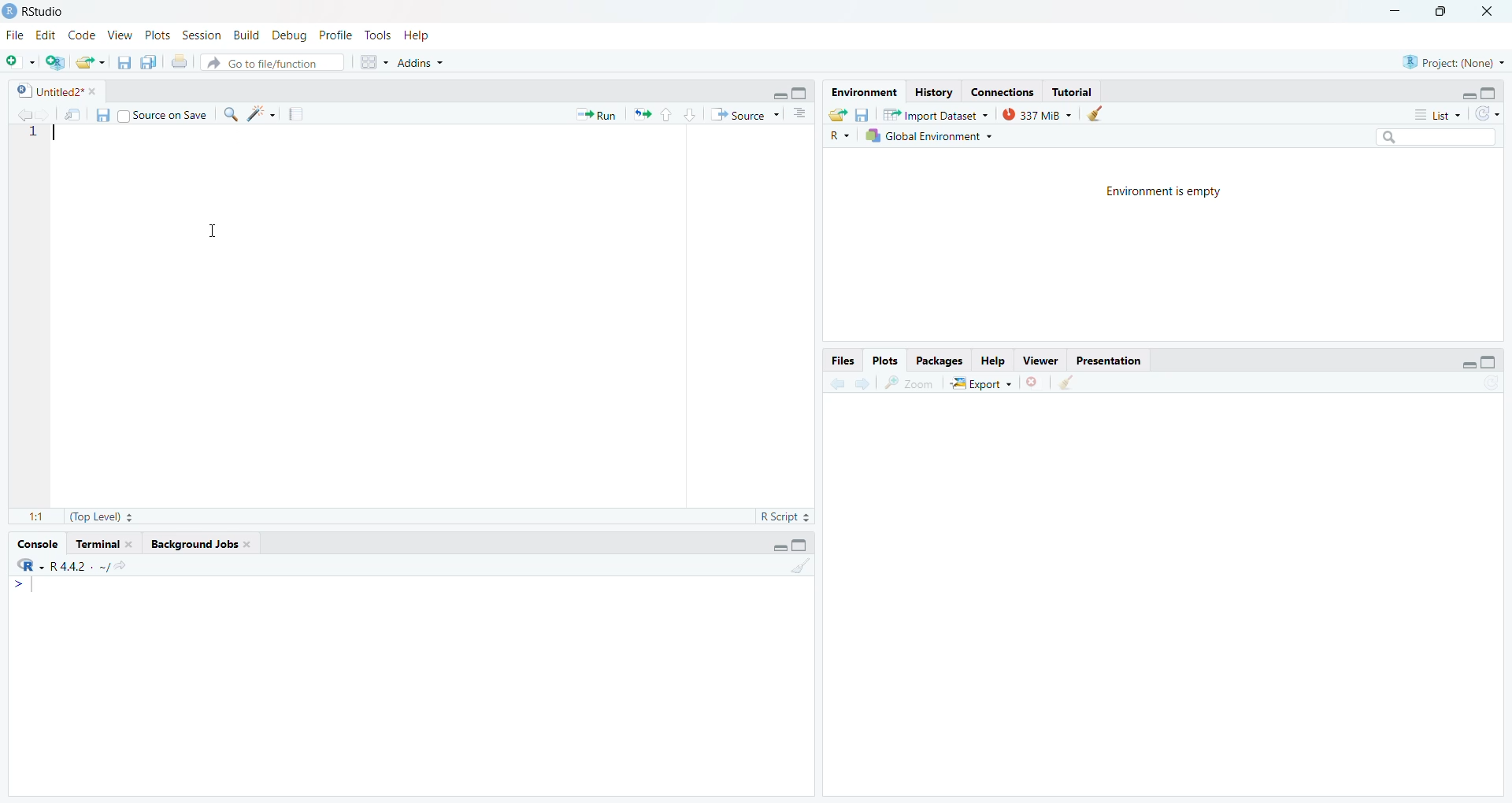 Image resolution: width=1512 pixels, height=803 pixels. Describe the element at coordinates (744, 115) in the screenshot. I see `Source ` at that location.